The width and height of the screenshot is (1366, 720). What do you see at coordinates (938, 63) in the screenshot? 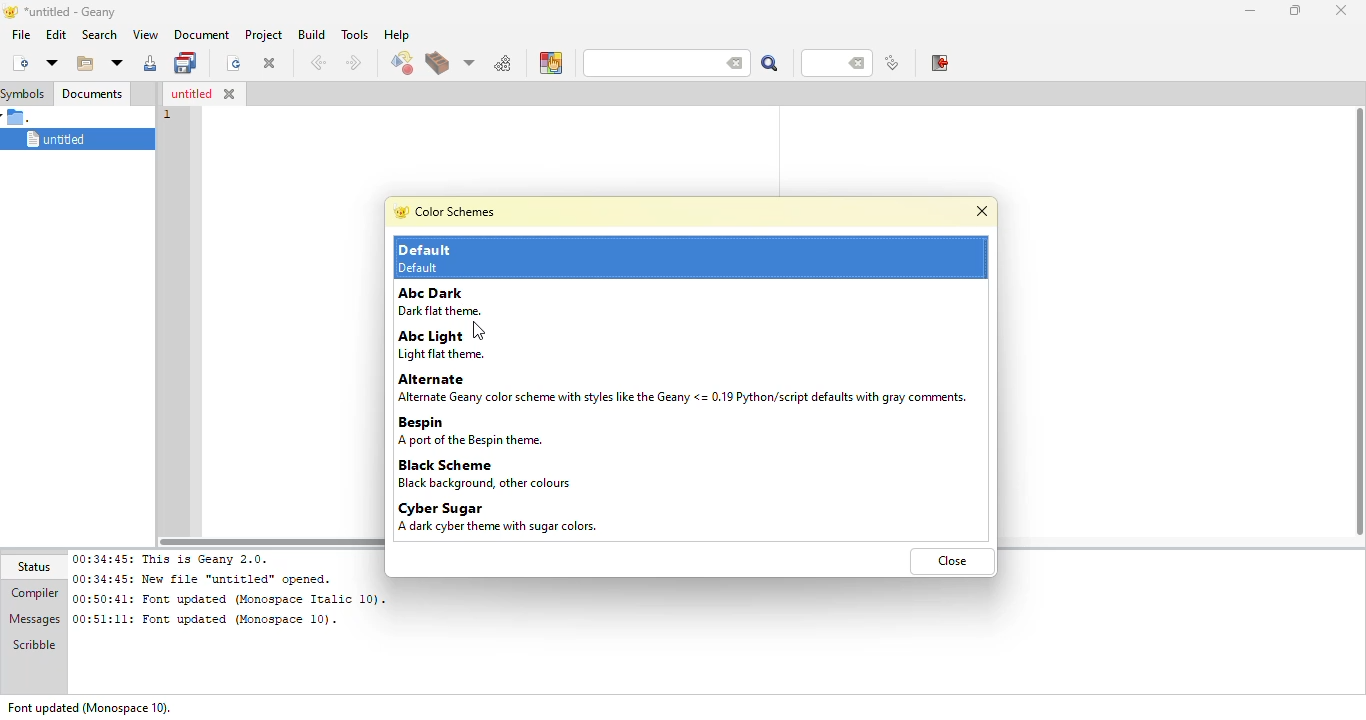
I see `exit` at bounding box center [938, 63].